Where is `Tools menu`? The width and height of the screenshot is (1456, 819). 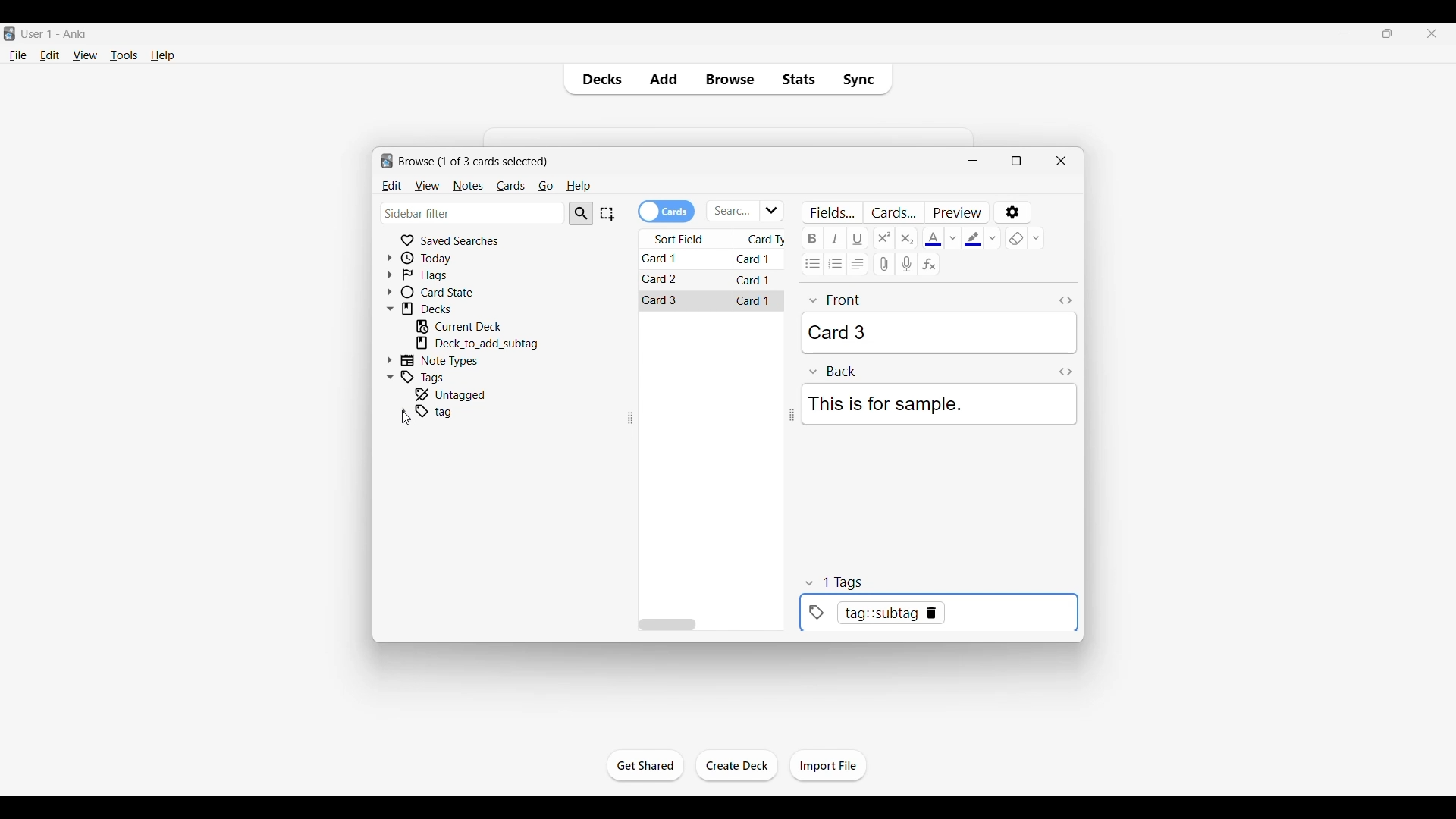 Tools menu is located at coordinates (124, 55).